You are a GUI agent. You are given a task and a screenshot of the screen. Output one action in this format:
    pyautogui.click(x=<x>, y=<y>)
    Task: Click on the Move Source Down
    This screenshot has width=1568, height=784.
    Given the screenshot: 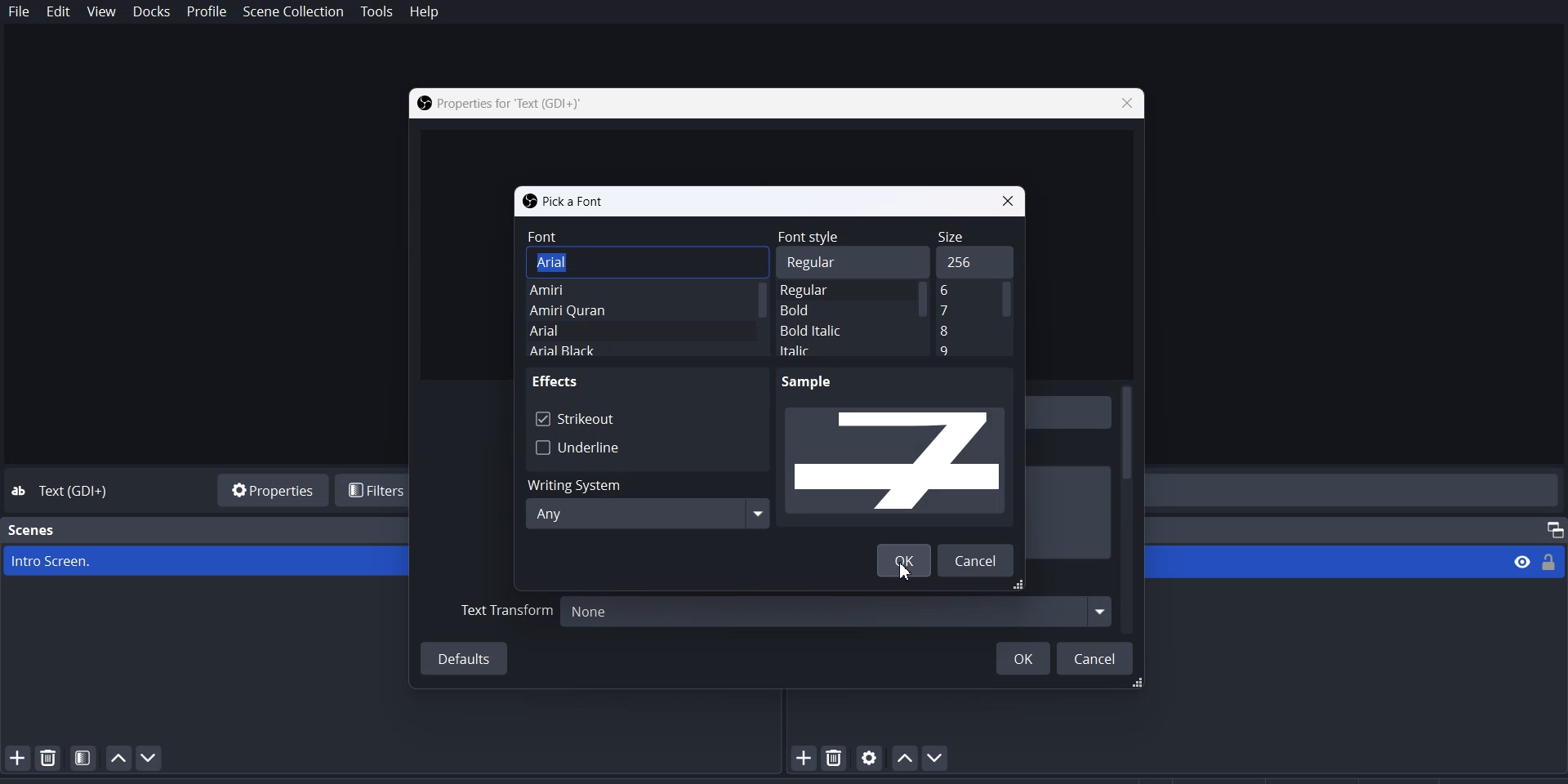 What is the action you would take?
    pyautogui.click(x=938, y=757)
    